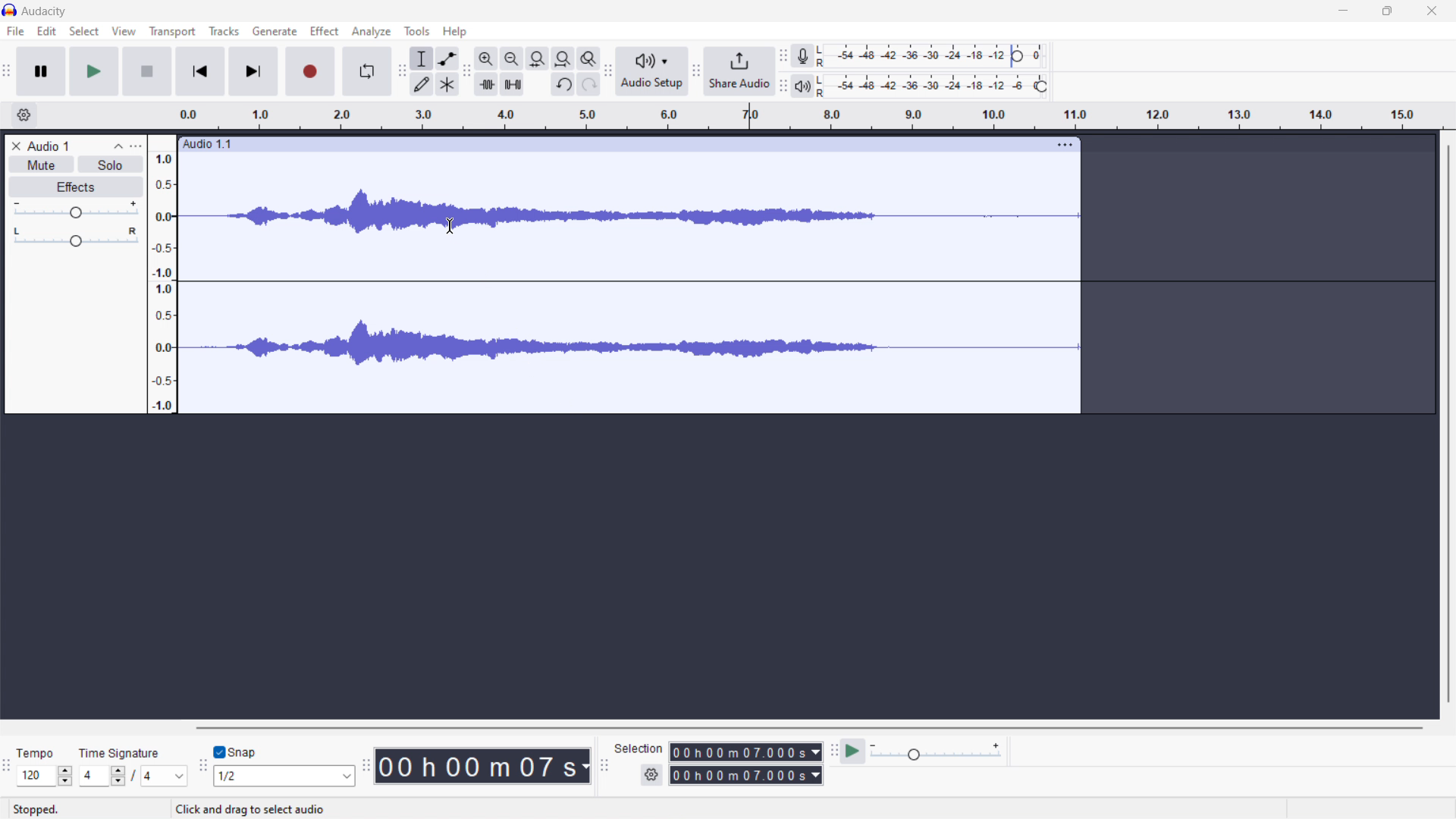  What do you see at coordinates (100, 777) in the screenshot?
I see `4` at bounding box center [100, 777].